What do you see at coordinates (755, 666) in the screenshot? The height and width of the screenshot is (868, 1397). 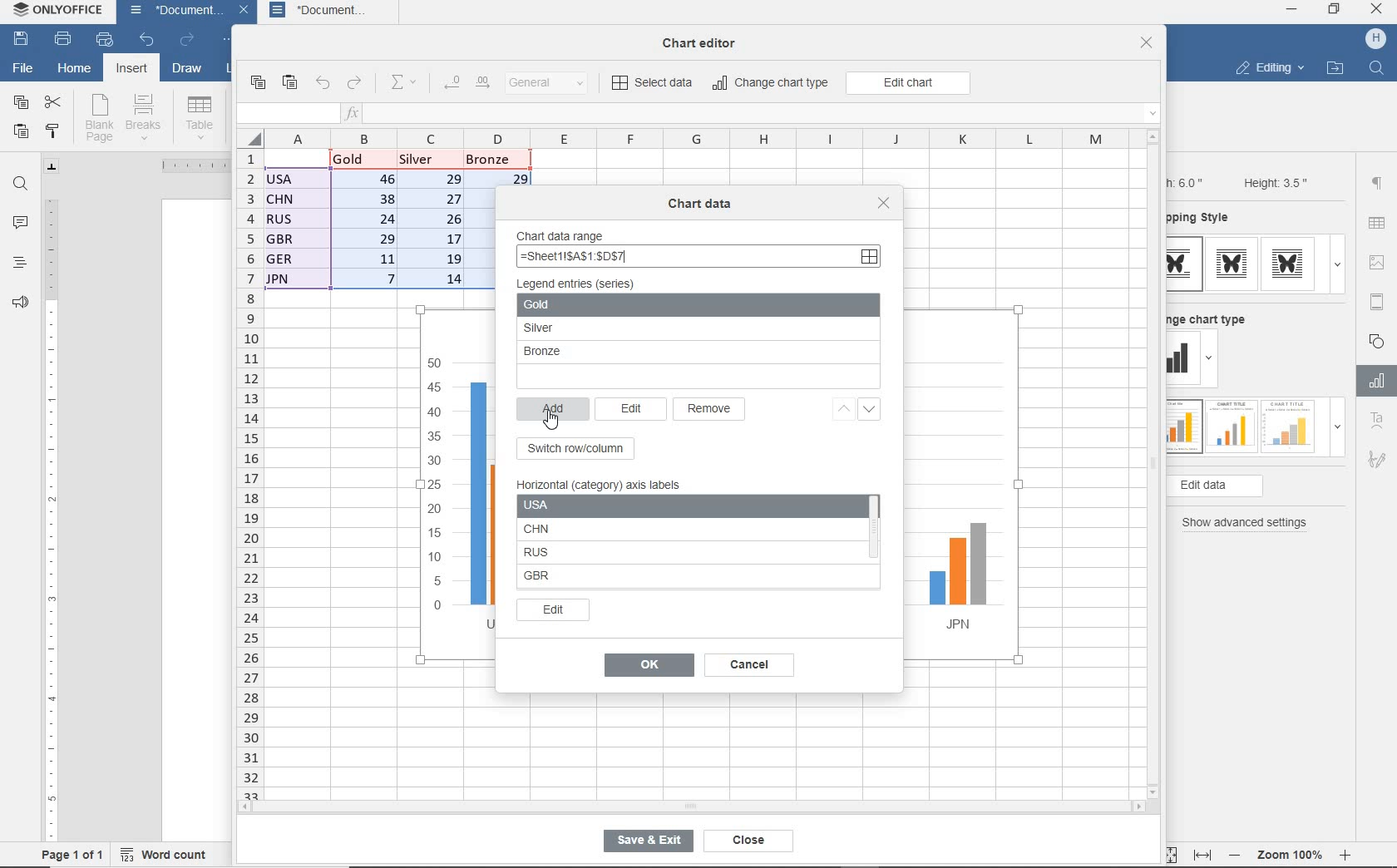 I see `cancel` at bounding box center [755, 666].